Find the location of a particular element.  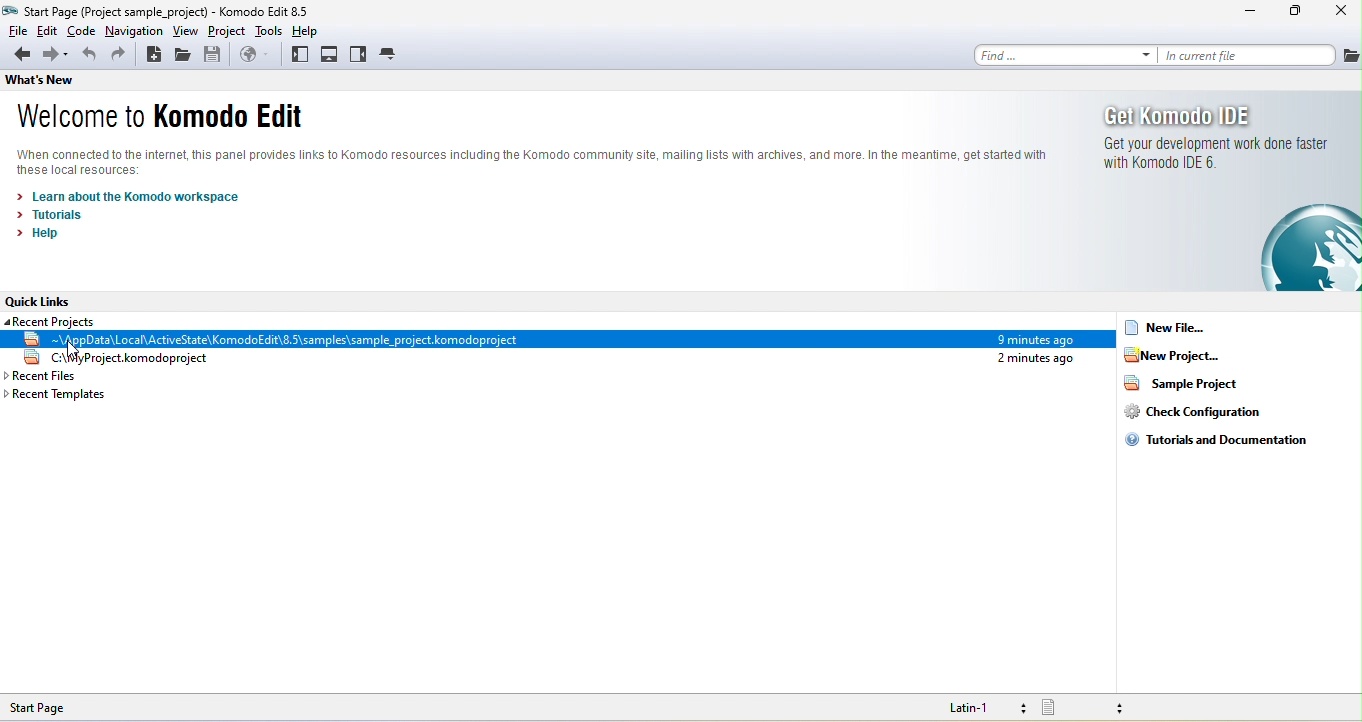

in current file is located at coordinates (1263, 55).